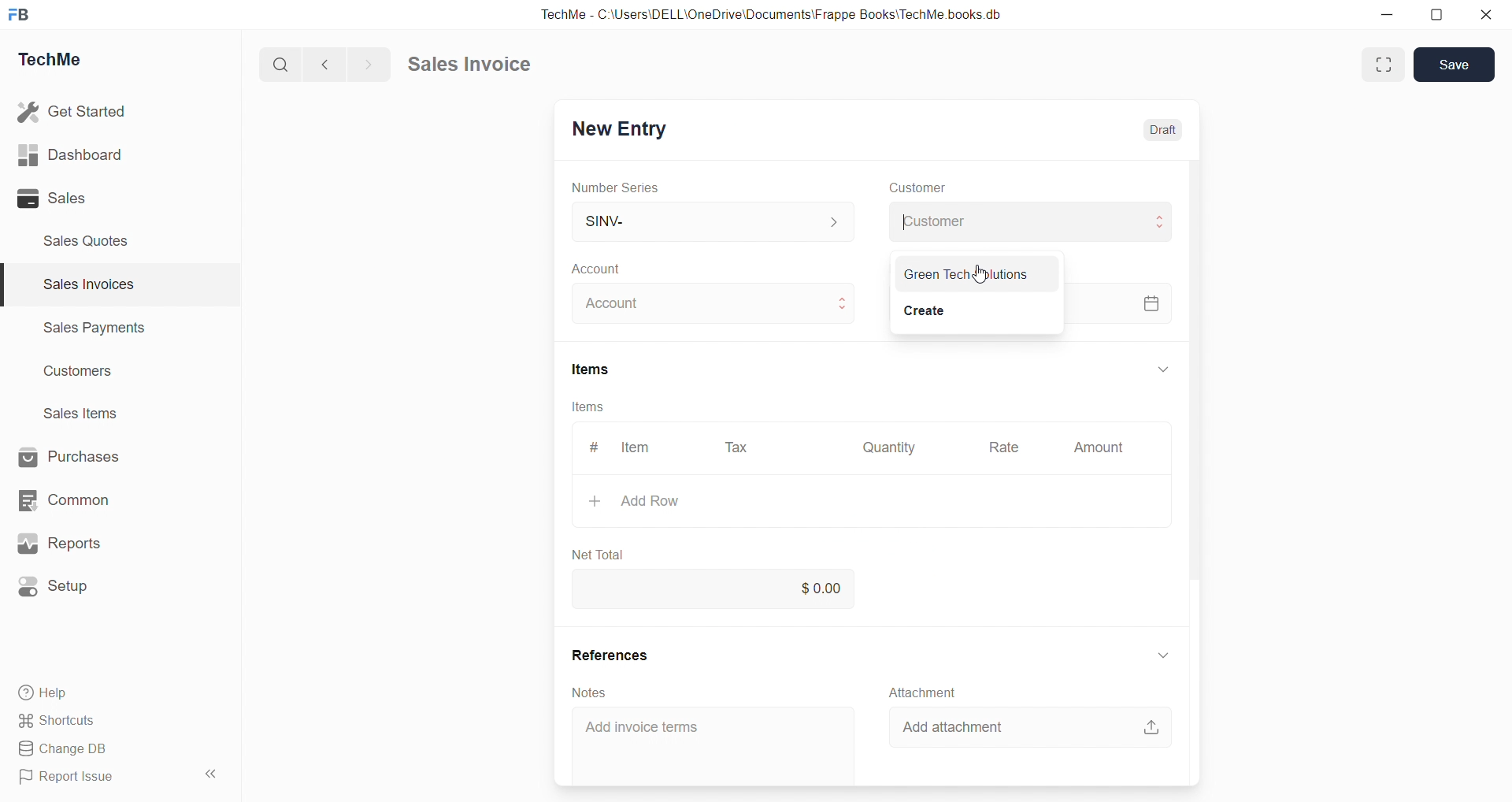 This screenshot has height=802, width=1512. I want to click on Account, so click(715, 303).